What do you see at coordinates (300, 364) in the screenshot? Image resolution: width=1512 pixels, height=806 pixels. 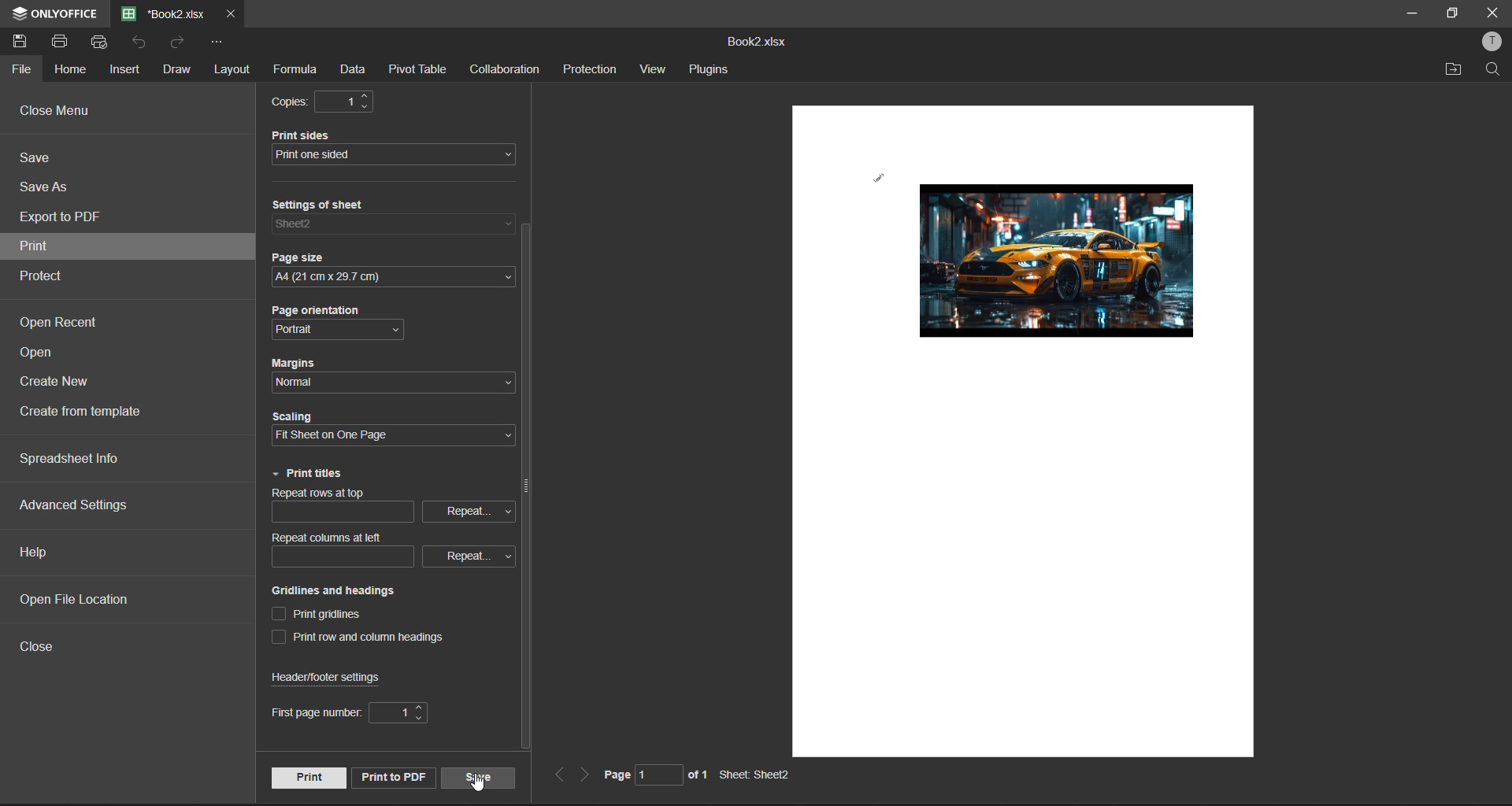 I see `margins` at bounding box center [300, 364].